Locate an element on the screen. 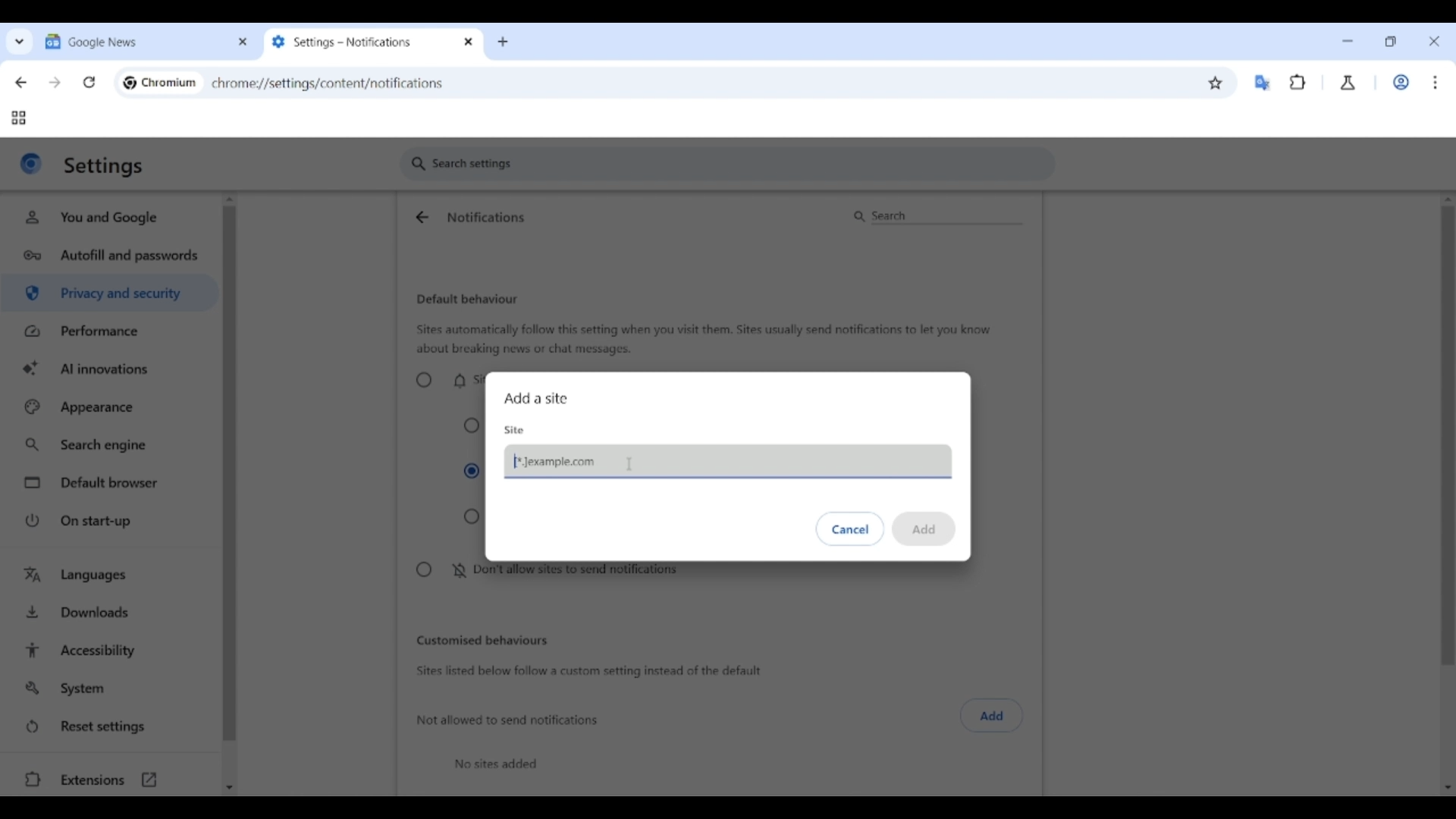 The height and width of the screenshot is (819, 1456). Save inputs made is located at coordinates (923, 529).